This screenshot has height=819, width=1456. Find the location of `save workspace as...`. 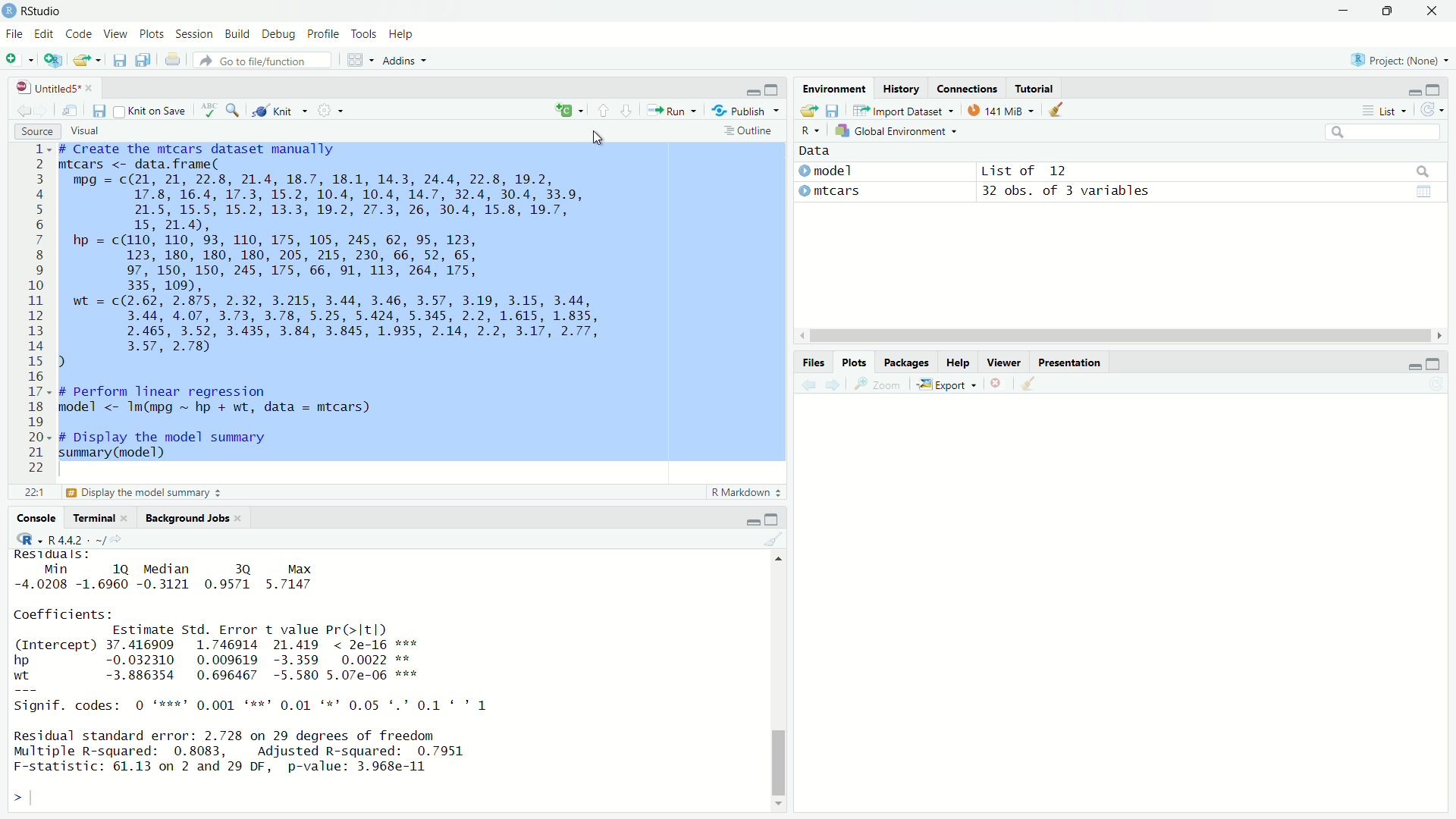

save workspace as... is located at coordinates (833, 111).